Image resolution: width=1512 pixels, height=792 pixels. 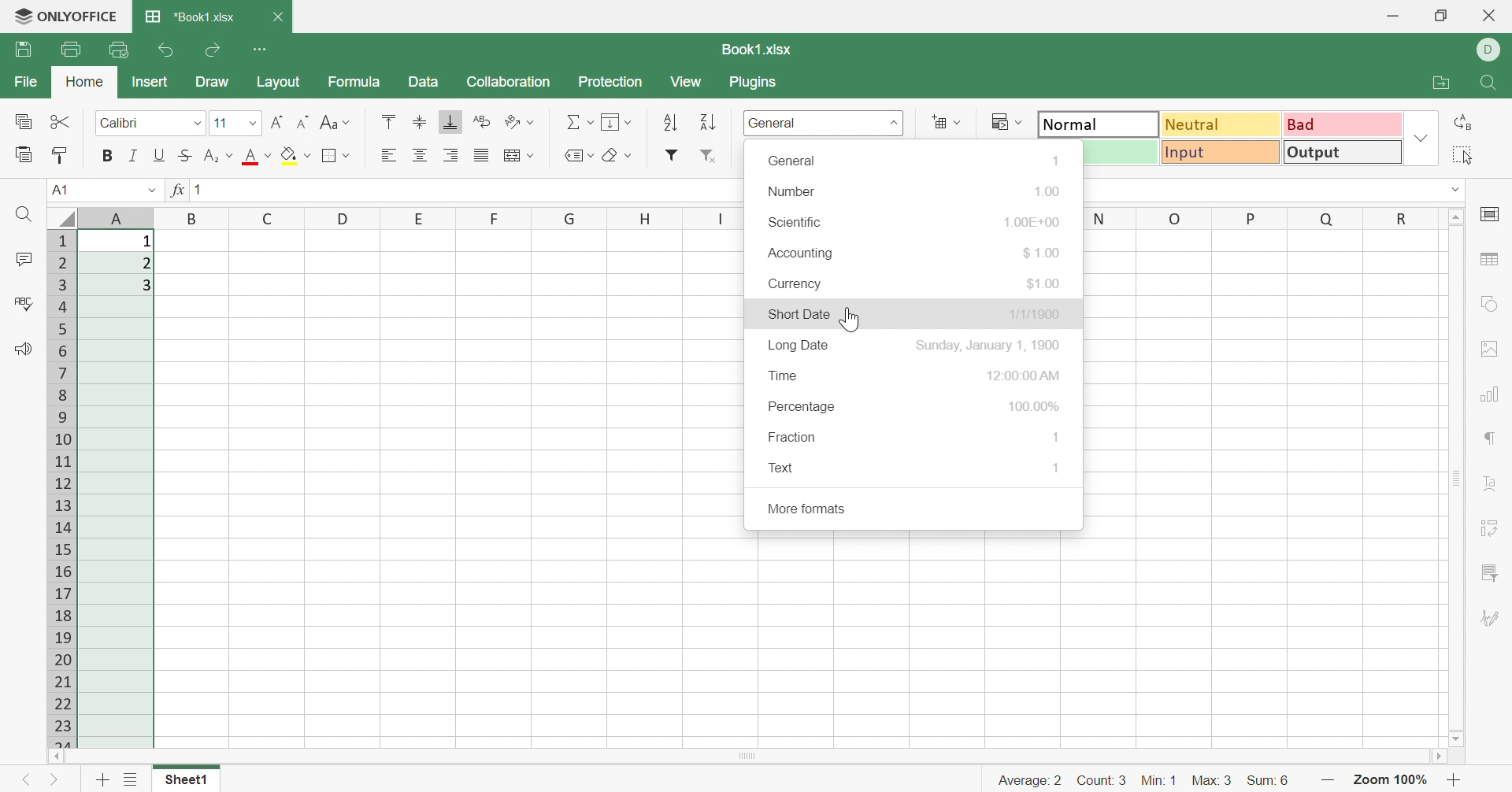 I want to click on Align right, so click(x=451, y=155).